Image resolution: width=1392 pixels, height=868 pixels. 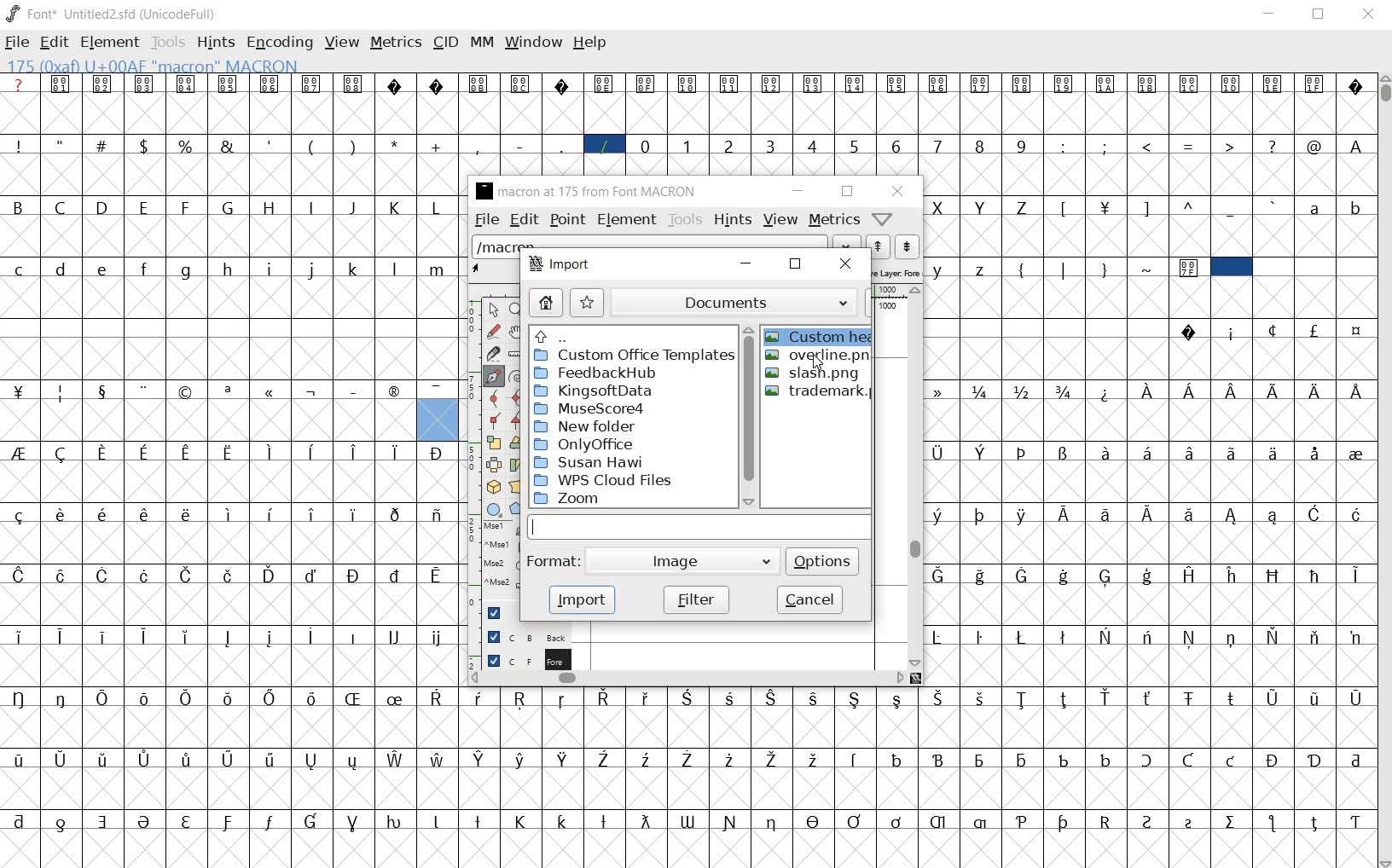 What do you see at coordinates (493, 464) in the screenshot?
I see `flip` at bounding box center [493, 464].